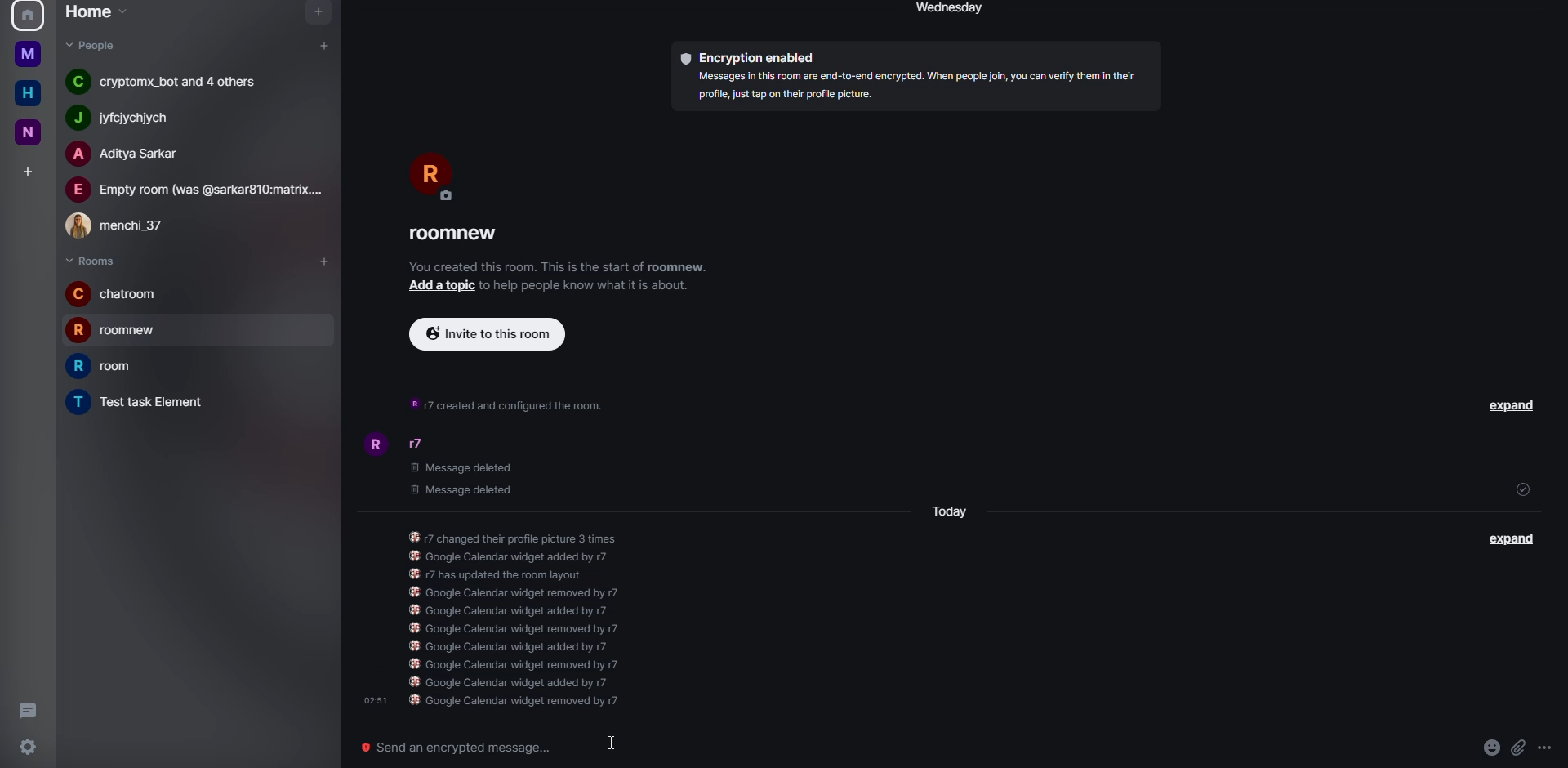 This screenshot has height=768, width=1568. Describe the element at coordinates (174, 82) in the screenshot. I see `people` at that location.